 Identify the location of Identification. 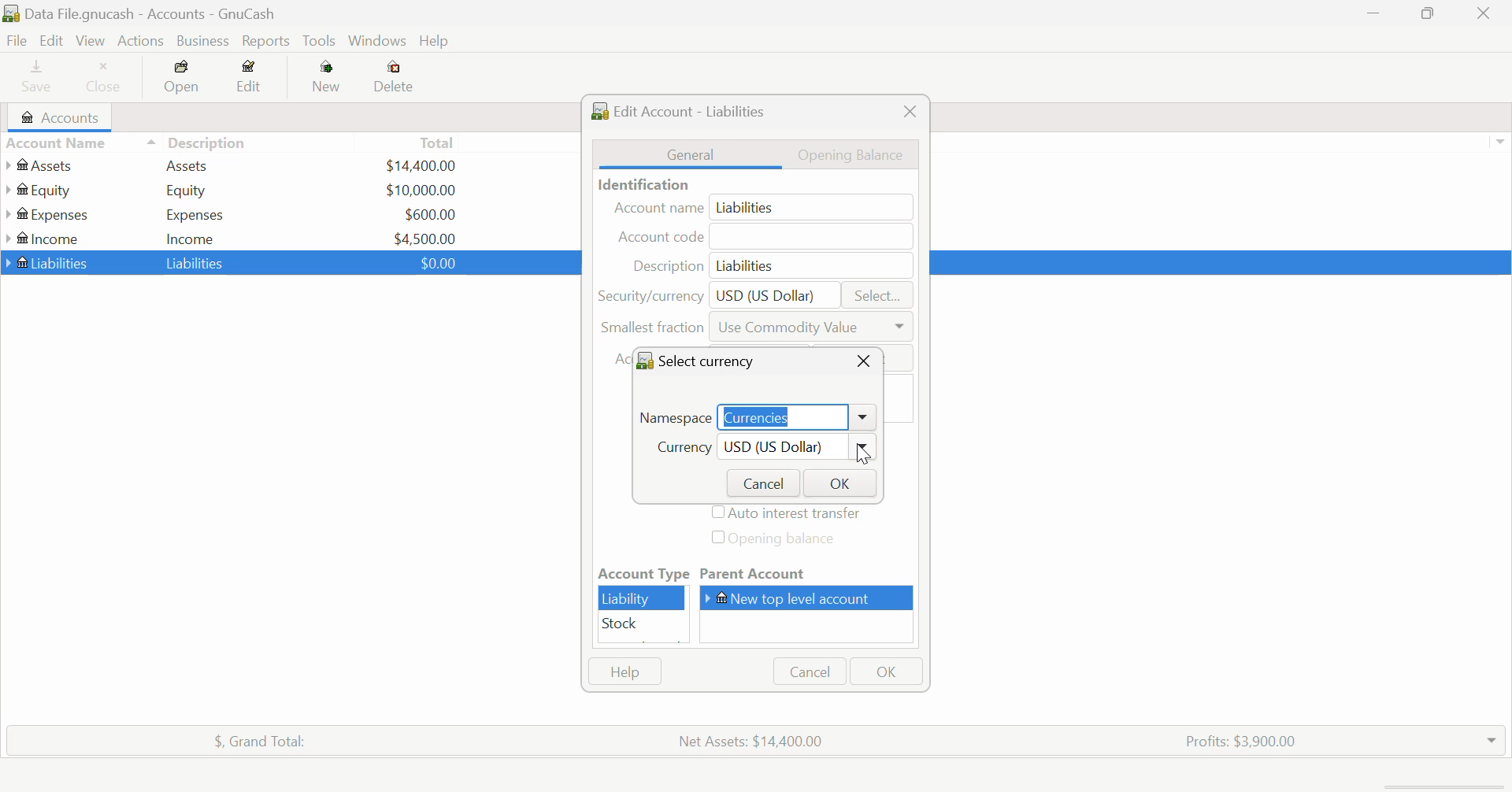
(640, 184).